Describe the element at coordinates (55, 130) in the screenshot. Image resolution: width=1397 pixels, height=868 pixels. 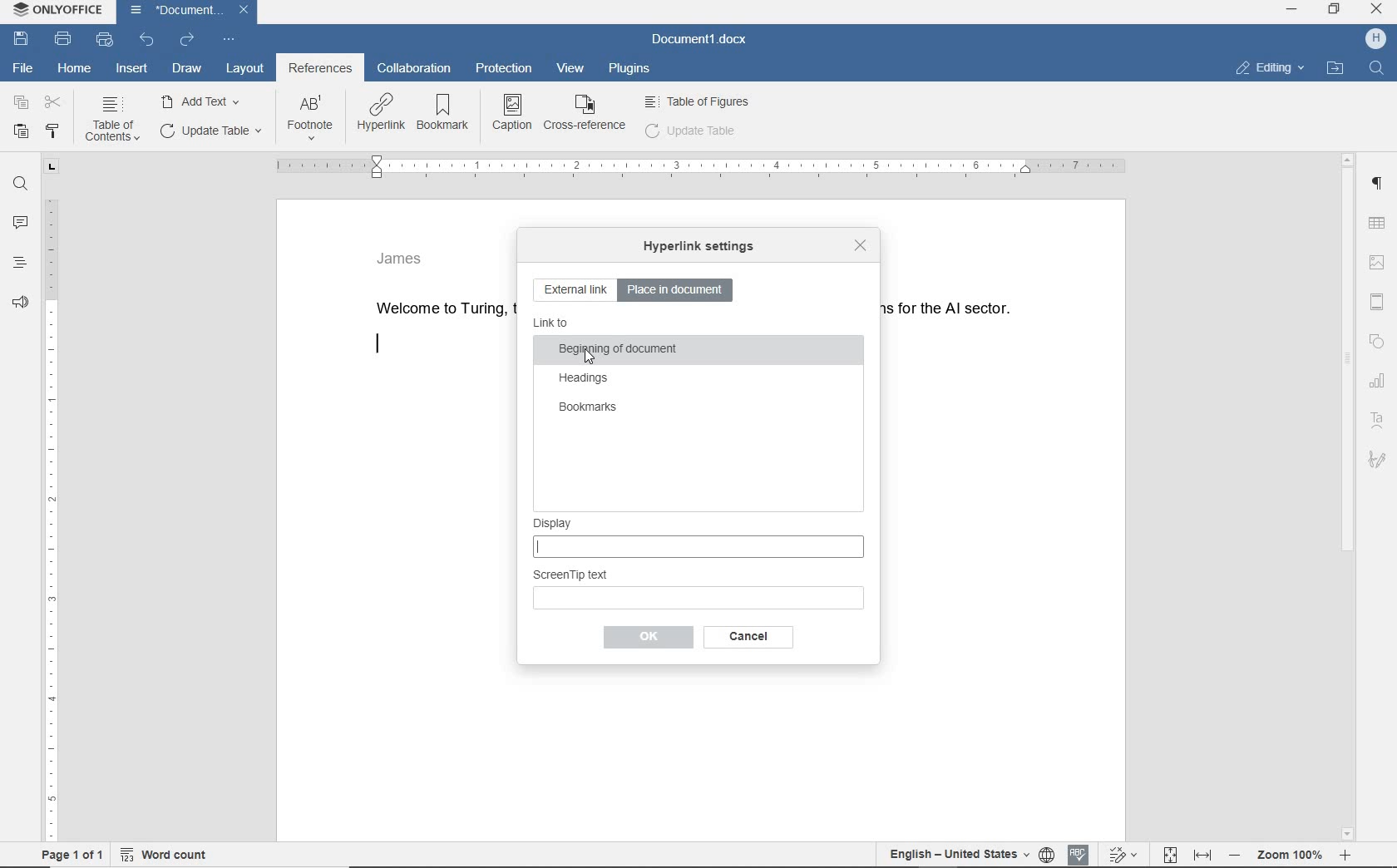
I see `copy style` at that location.